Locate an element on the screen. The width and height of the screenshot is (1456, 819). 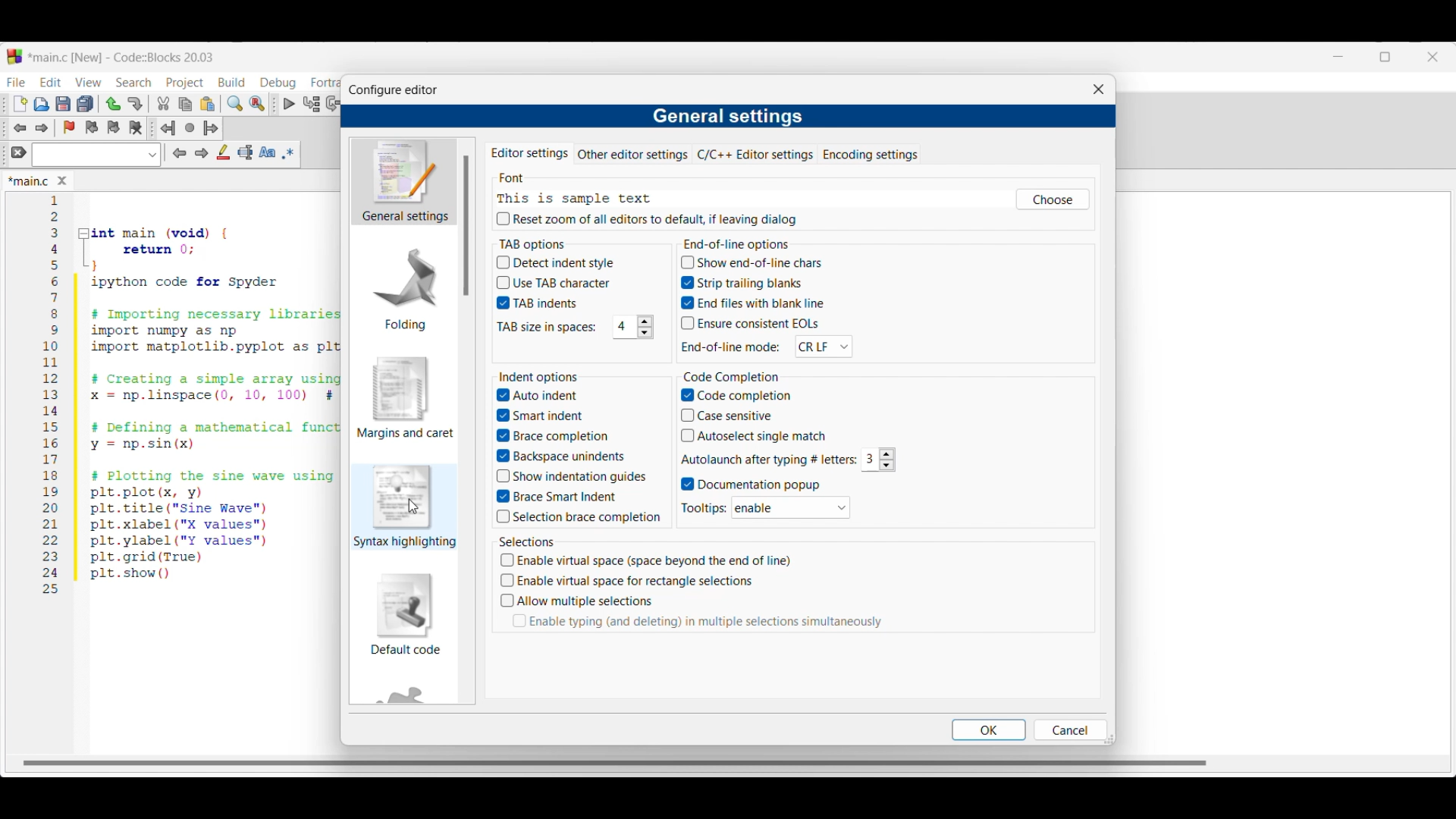
Brace Smart indent is located at coordinates (566, 495).